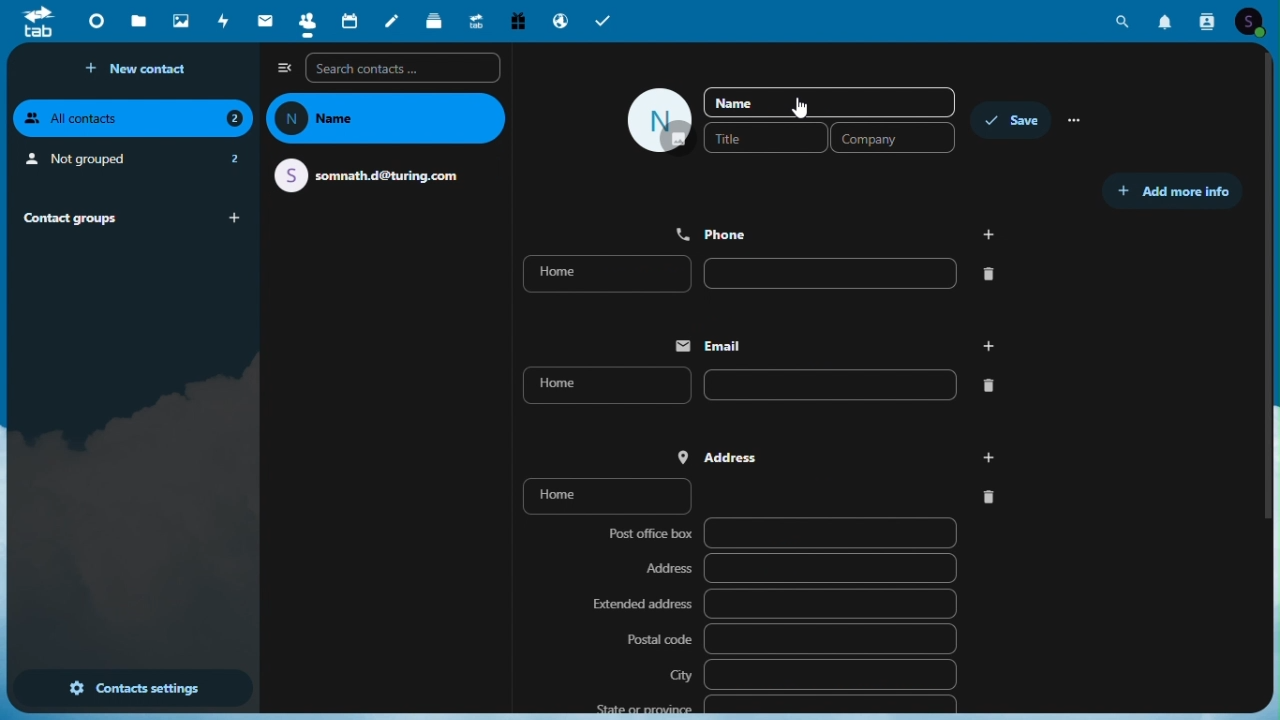 The image size is (1280, 720). What do you see at coordinates (764, 494) in the screenshot?
I see `home` at bounding box center [764, 494].